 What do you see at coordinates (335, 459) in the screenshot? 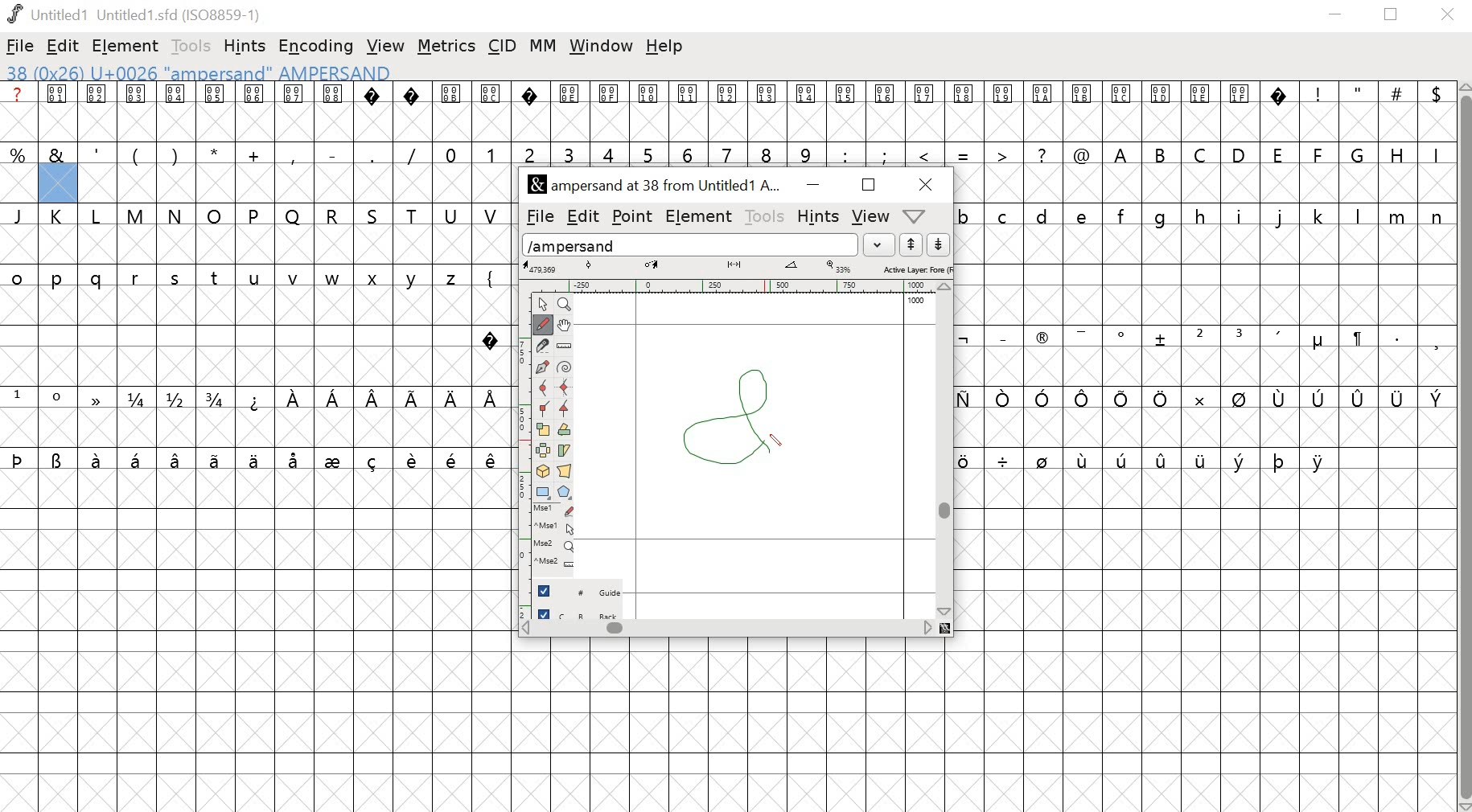
I see `symbol` at bounding box center [335, 459].